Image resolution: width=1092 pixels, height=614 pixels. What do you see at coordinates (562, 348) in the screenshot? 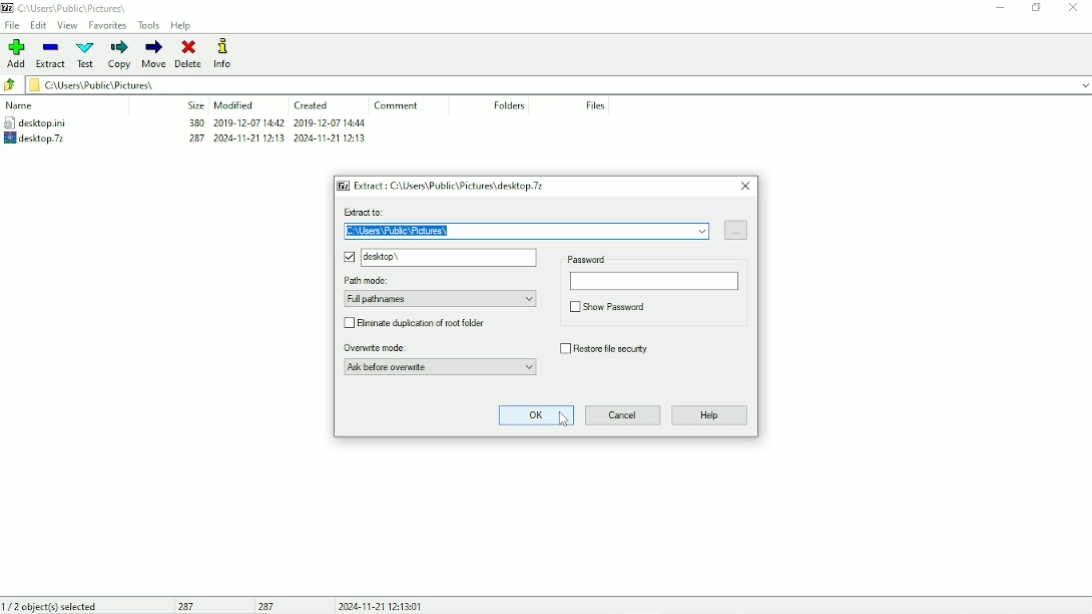
I see `checkbox` at bounding box center [562, 348].